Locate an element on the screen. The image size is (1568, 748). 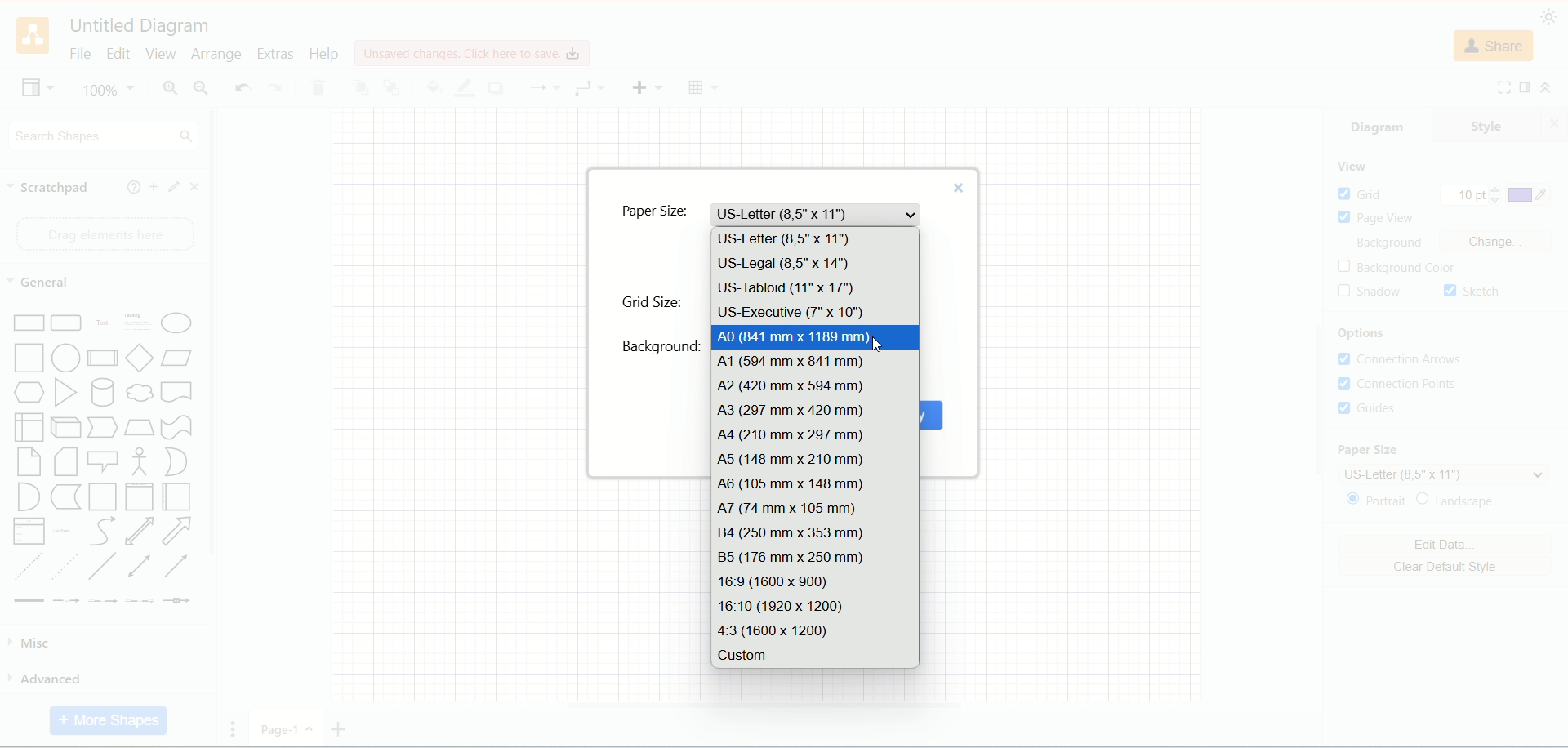
rectangle is located at coordinates (30, 324).